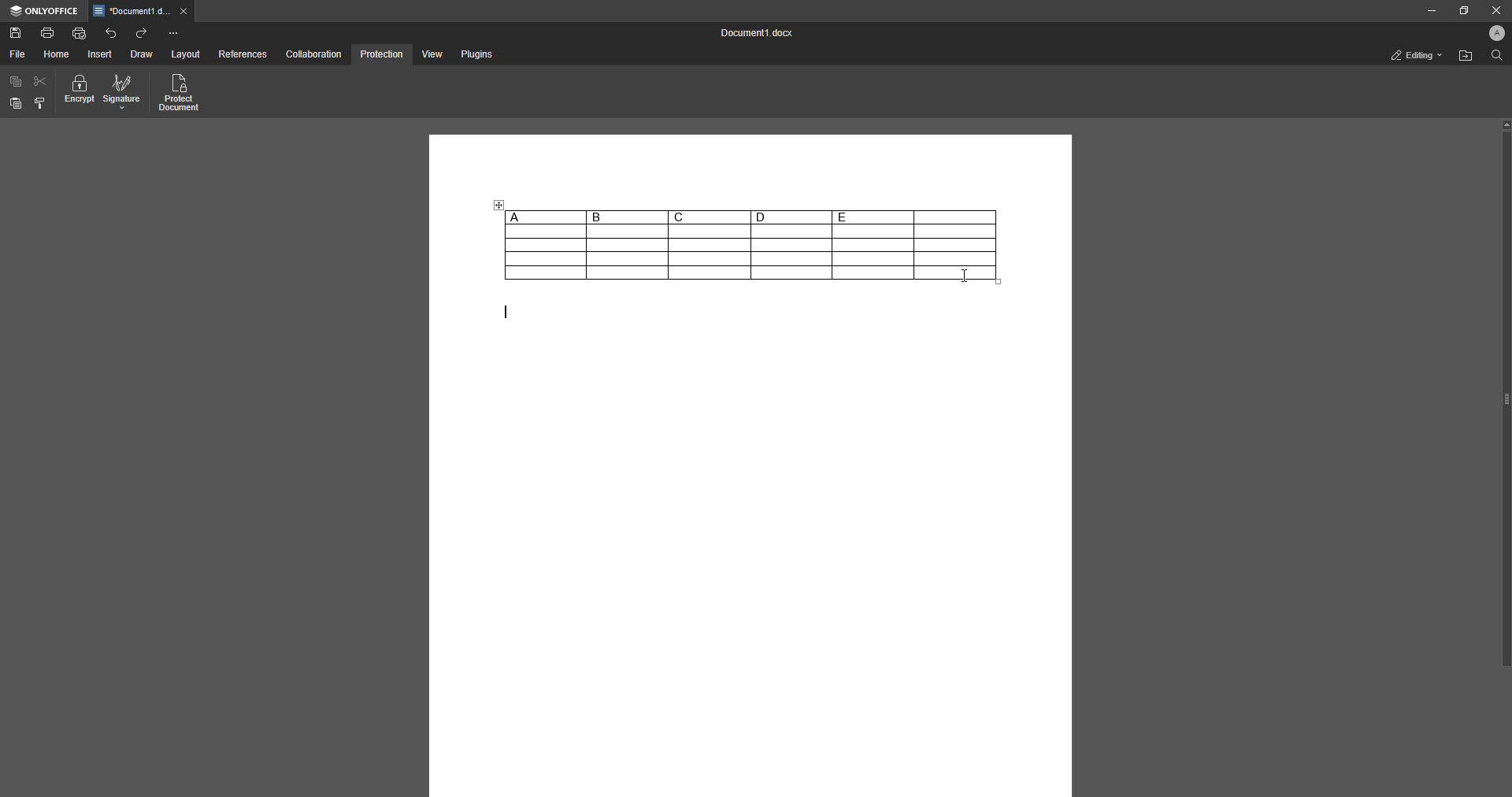 This screenshot has height=797, width=1512. I want to click on Cut, so click(41, 80).